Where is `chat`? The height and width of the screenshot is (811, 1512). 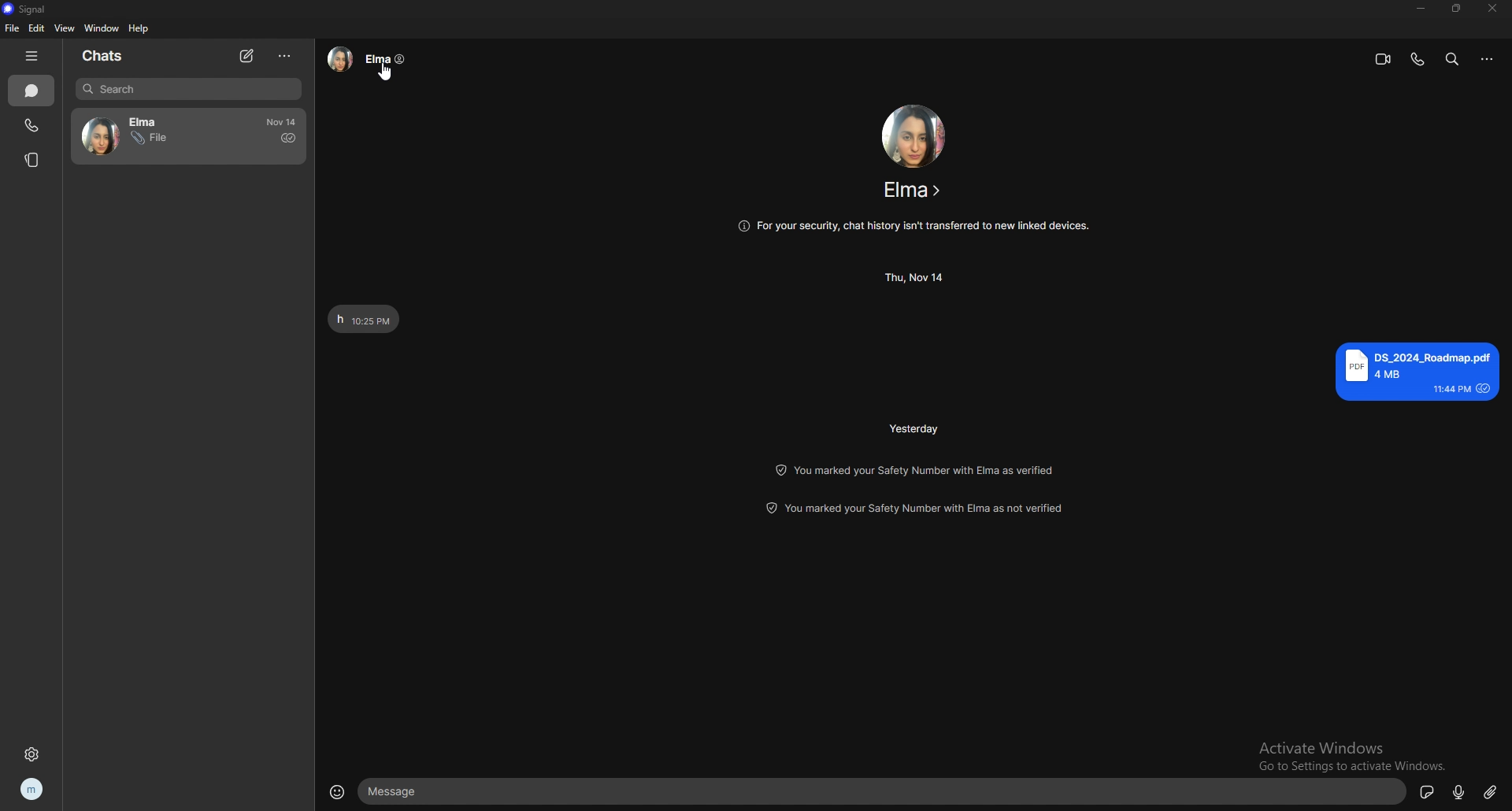 chat is located at coordinates (146, 136).